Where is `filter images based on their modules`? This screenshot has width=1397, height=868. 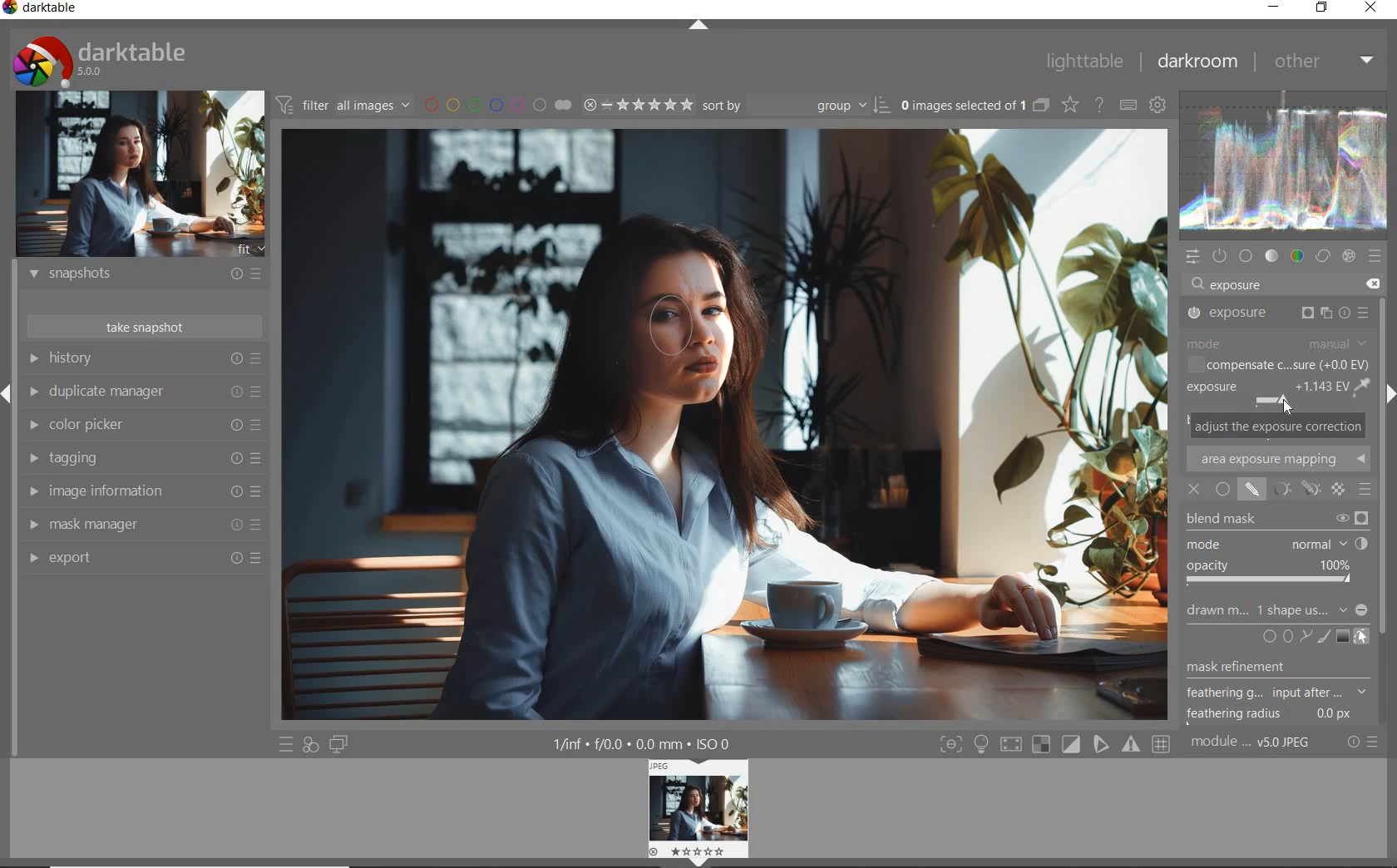
filter images based on their modules is located at coordinates (343, 103).